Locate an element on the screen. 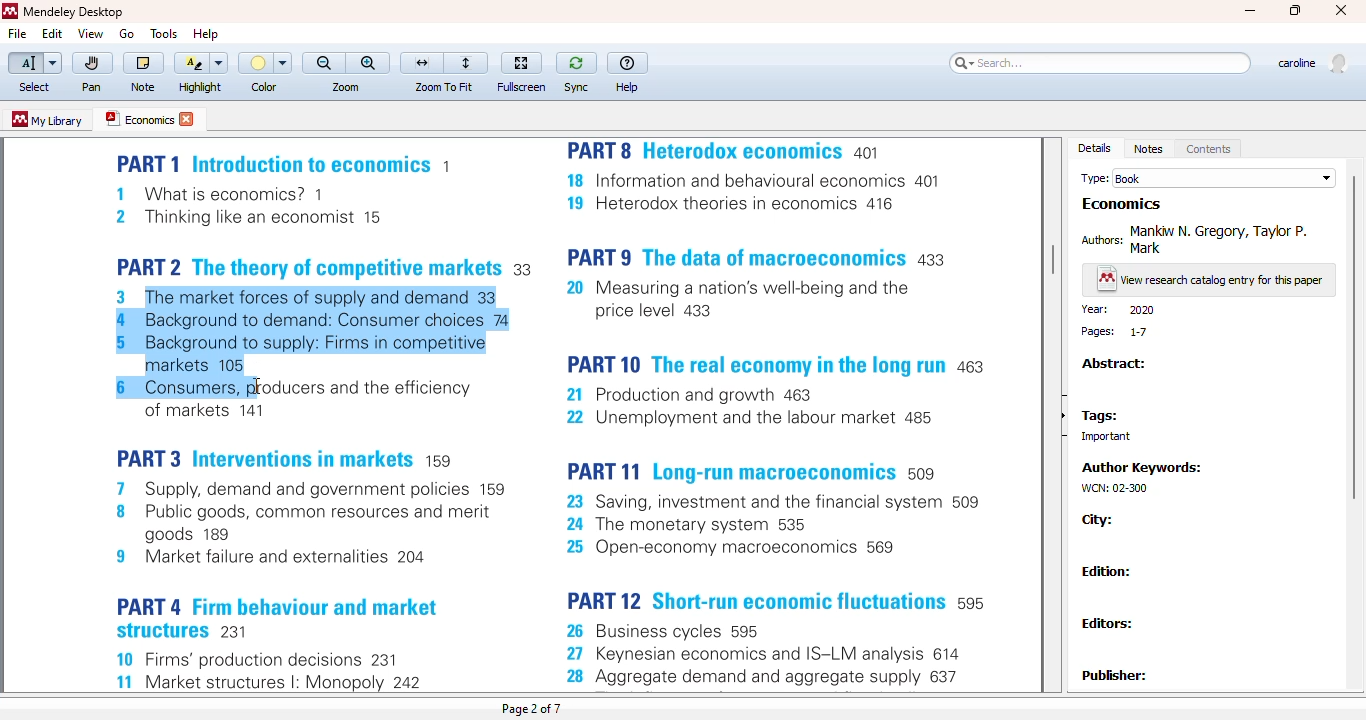 Image resolution: width=1366 pixels, height=720 pixels. year: 2020 is located at coordinates (1118, 310).